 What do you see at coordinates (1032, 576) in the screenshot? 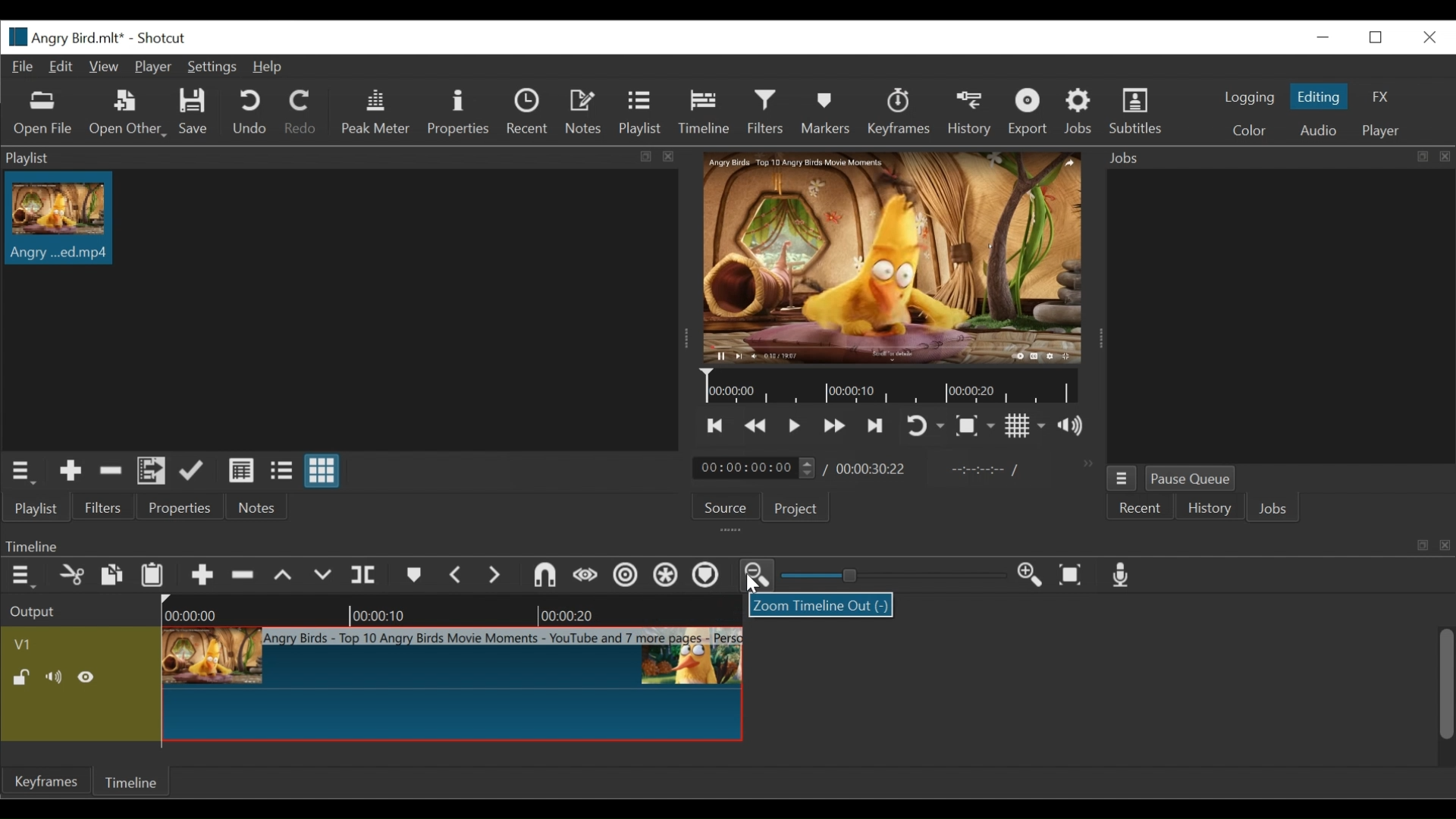
I see `Zoom in timeline` at bounding box center [1032, 576].